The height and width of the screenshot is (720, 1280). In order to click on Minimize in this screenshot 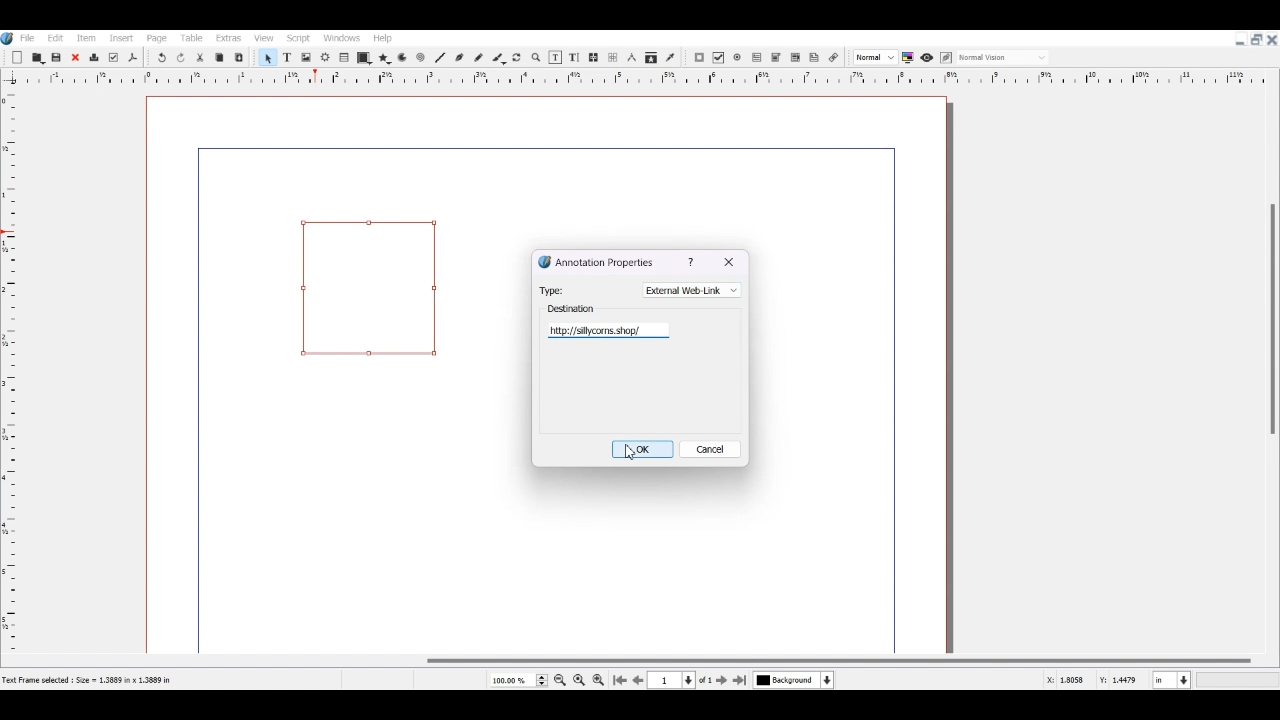, I will do `click(1240, 40)`.